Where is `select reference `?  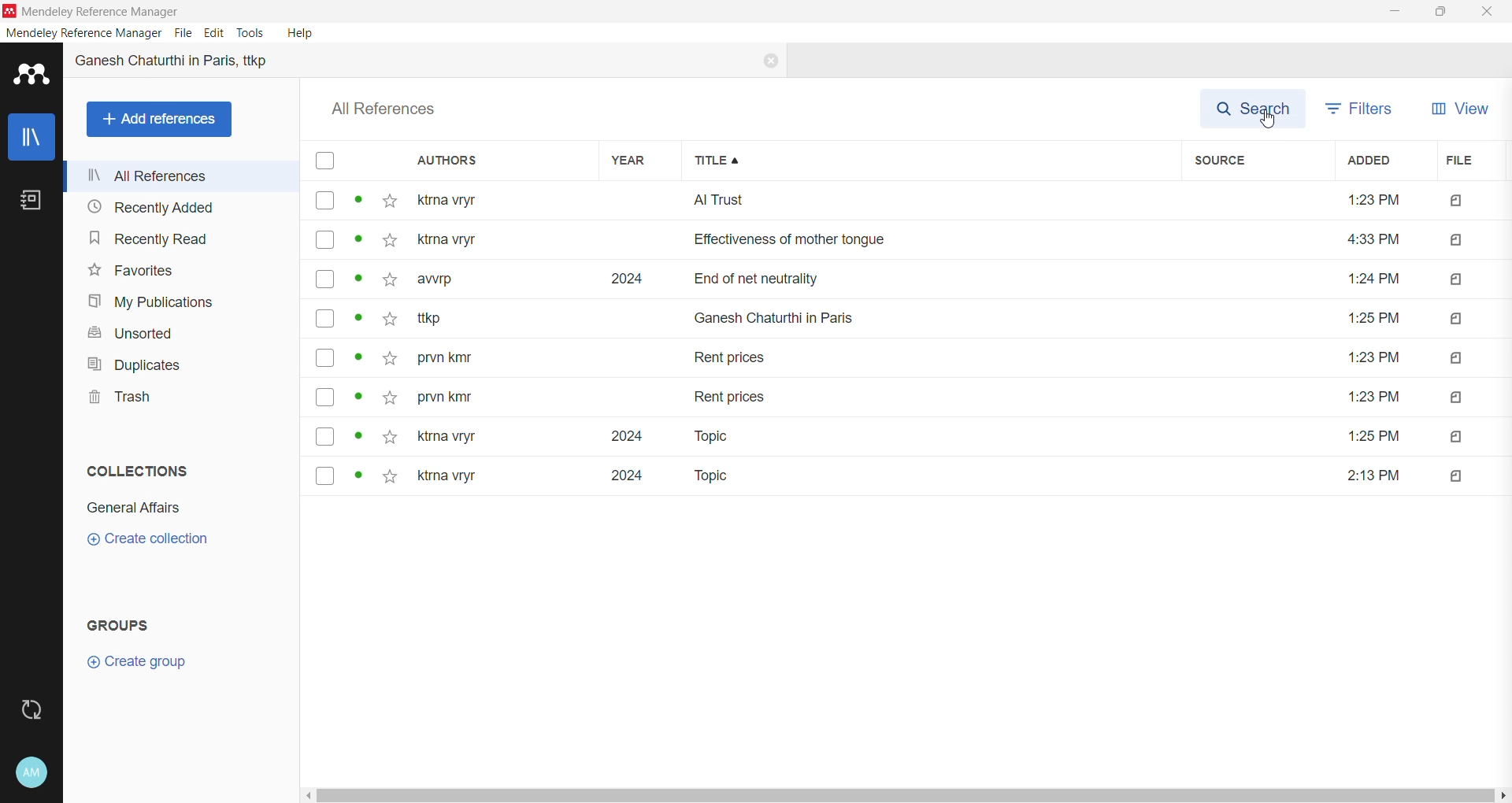 select reference  is located at coordinates (325, 357).